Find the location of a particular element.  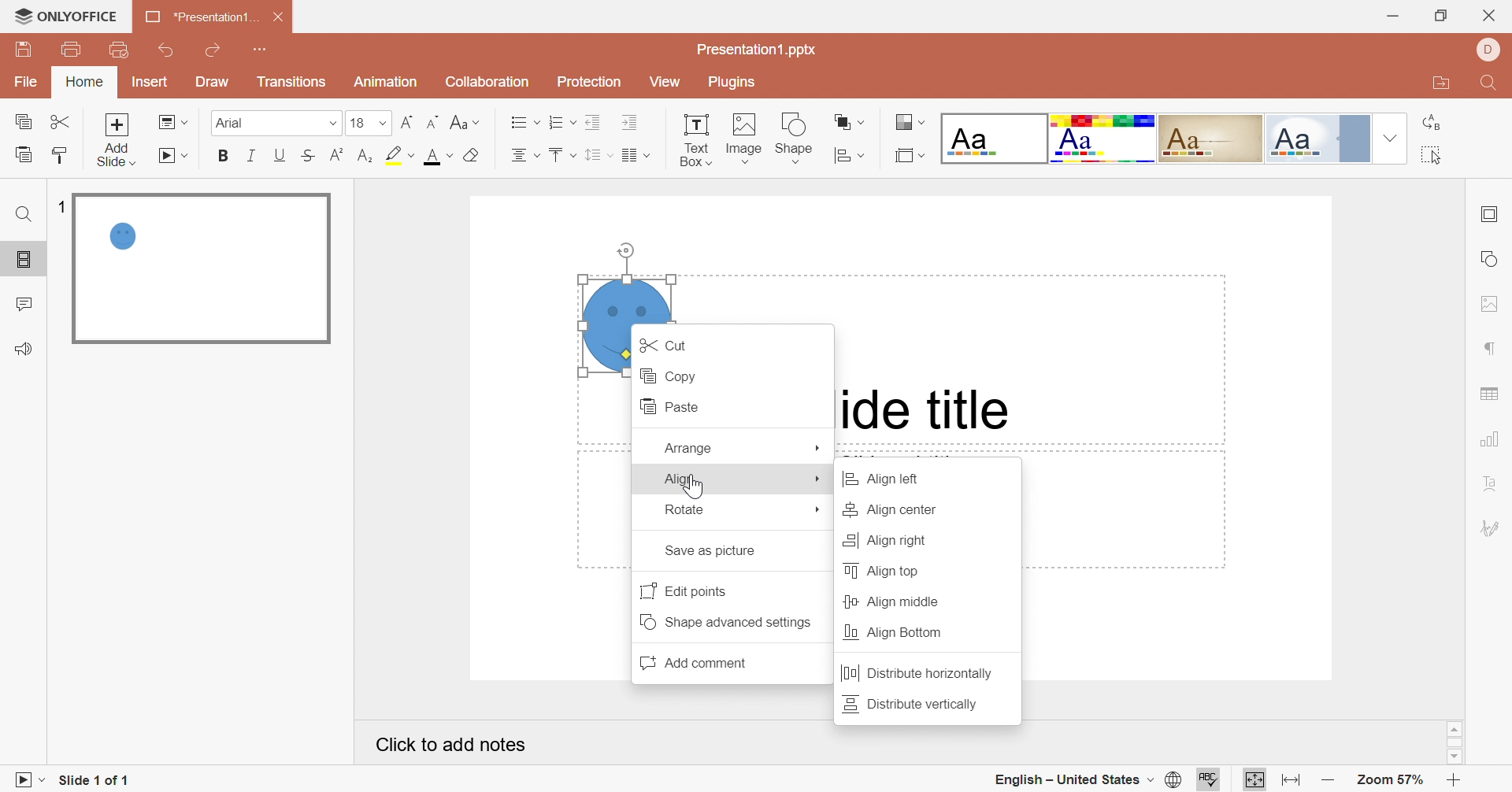

Decrease Indent is located at coordinates (596, 121).